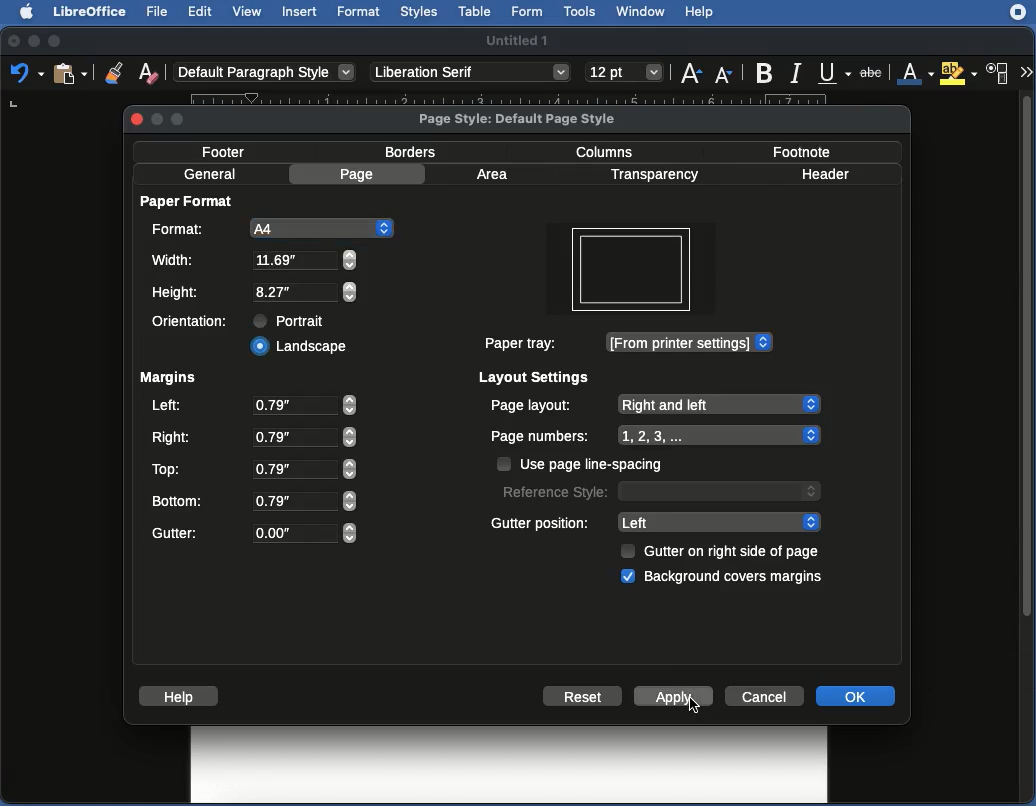 The image size is (1036, 806). What do you see at coordinates (704, 12) in the screenshot?
I see `Help` at bounding box center [704, 12].